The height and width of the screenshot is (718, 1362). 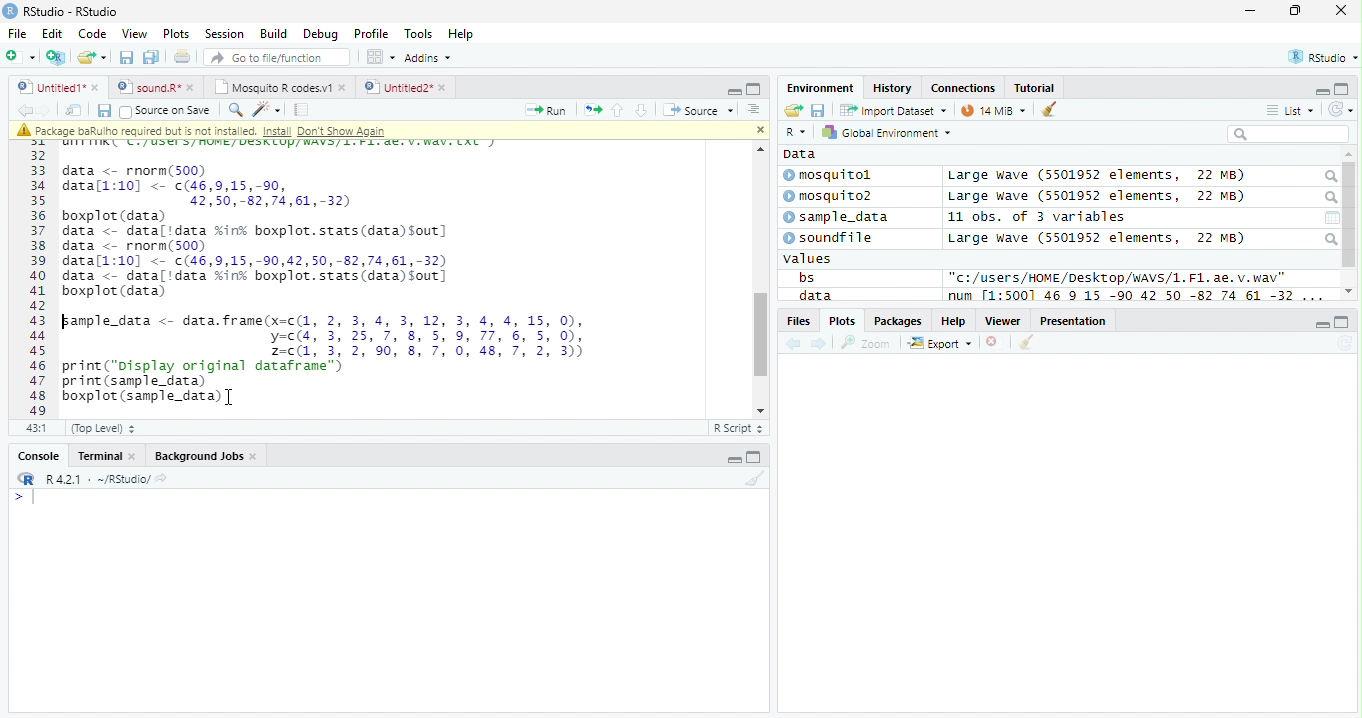 What do you see at coordinates (734, 90) in the screenshot?
I see `minimize` at bounding box center [734, 90].